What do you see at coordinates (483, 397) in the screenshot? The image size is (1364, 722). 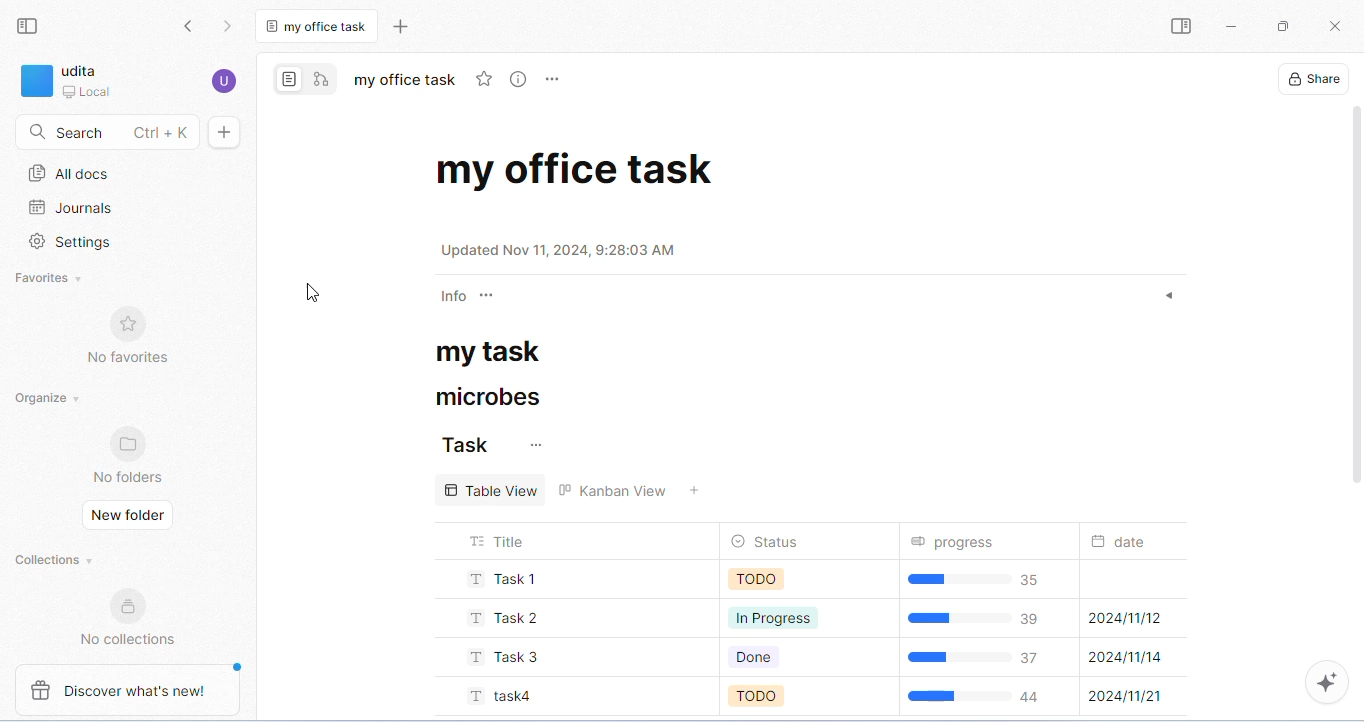 I see `microbes` at bounding box center [483, 397].